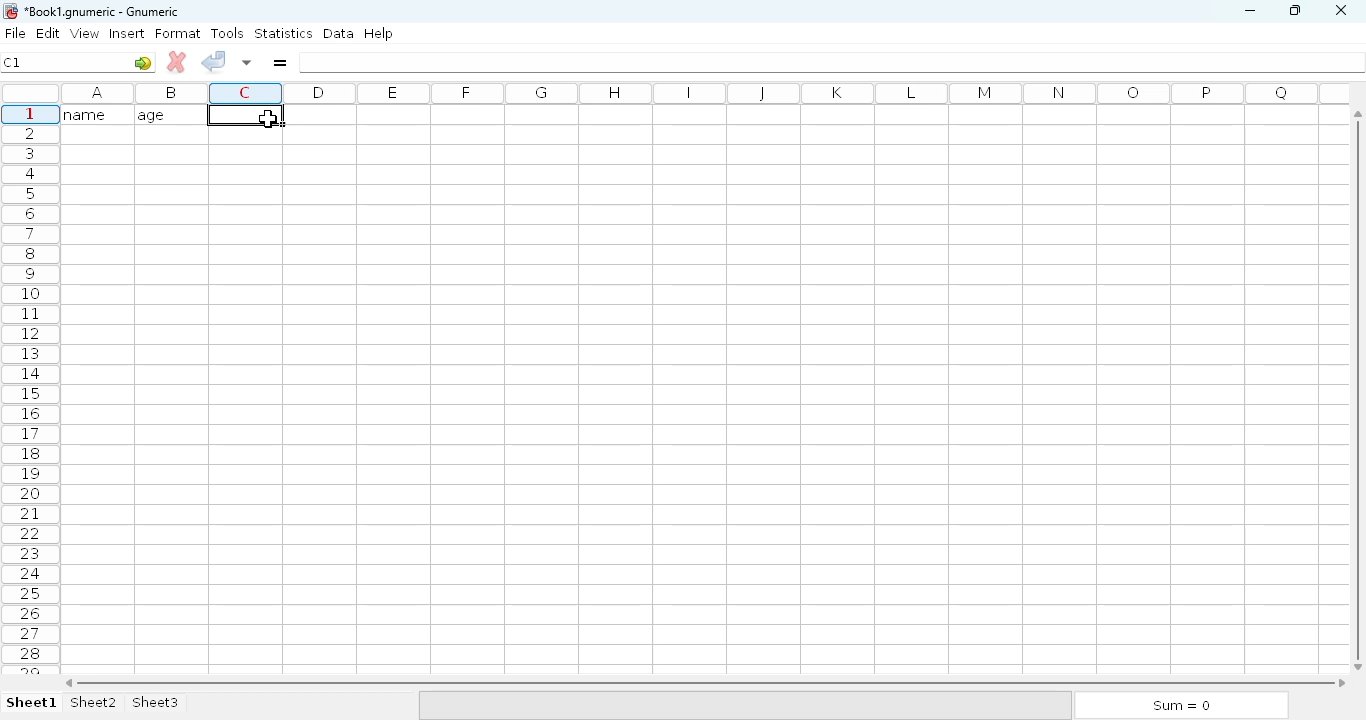  Describe the element at coordinates (15, 33) in the screenshot. I see `file` at that location.